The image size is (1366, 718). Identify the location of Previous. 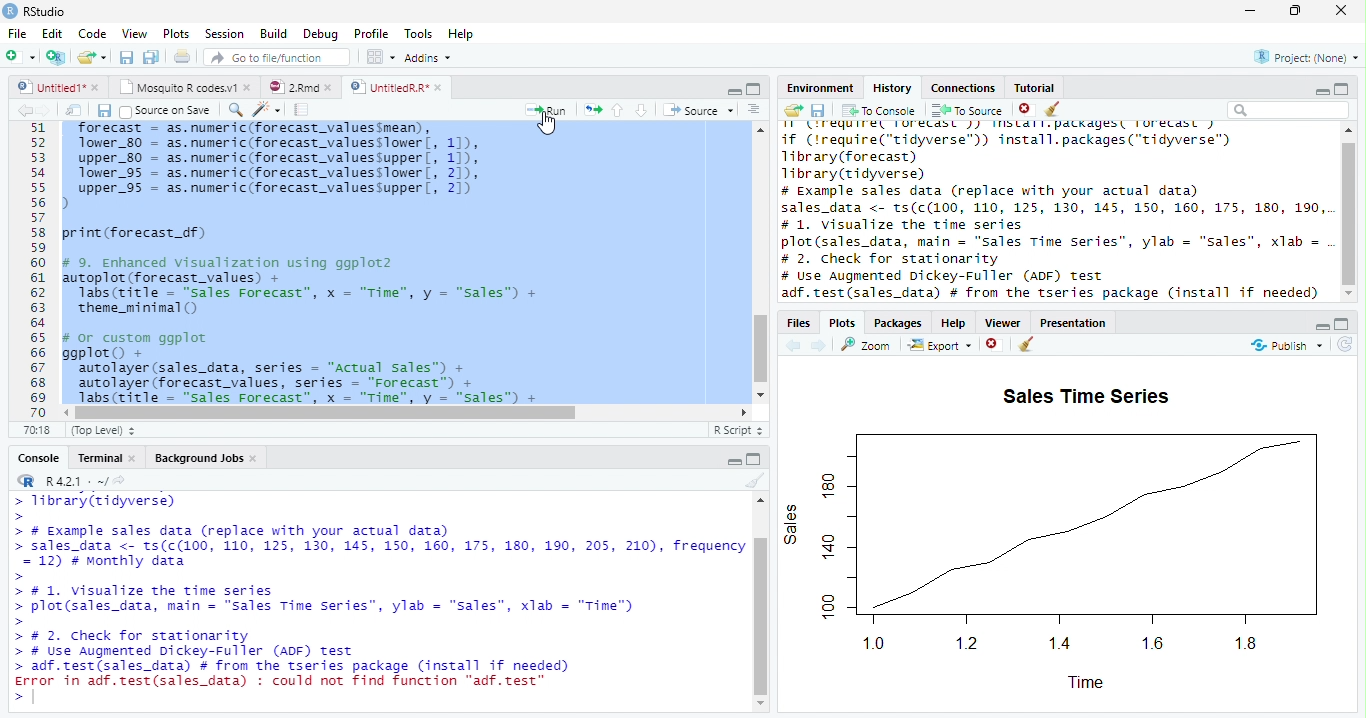
(793, 345).